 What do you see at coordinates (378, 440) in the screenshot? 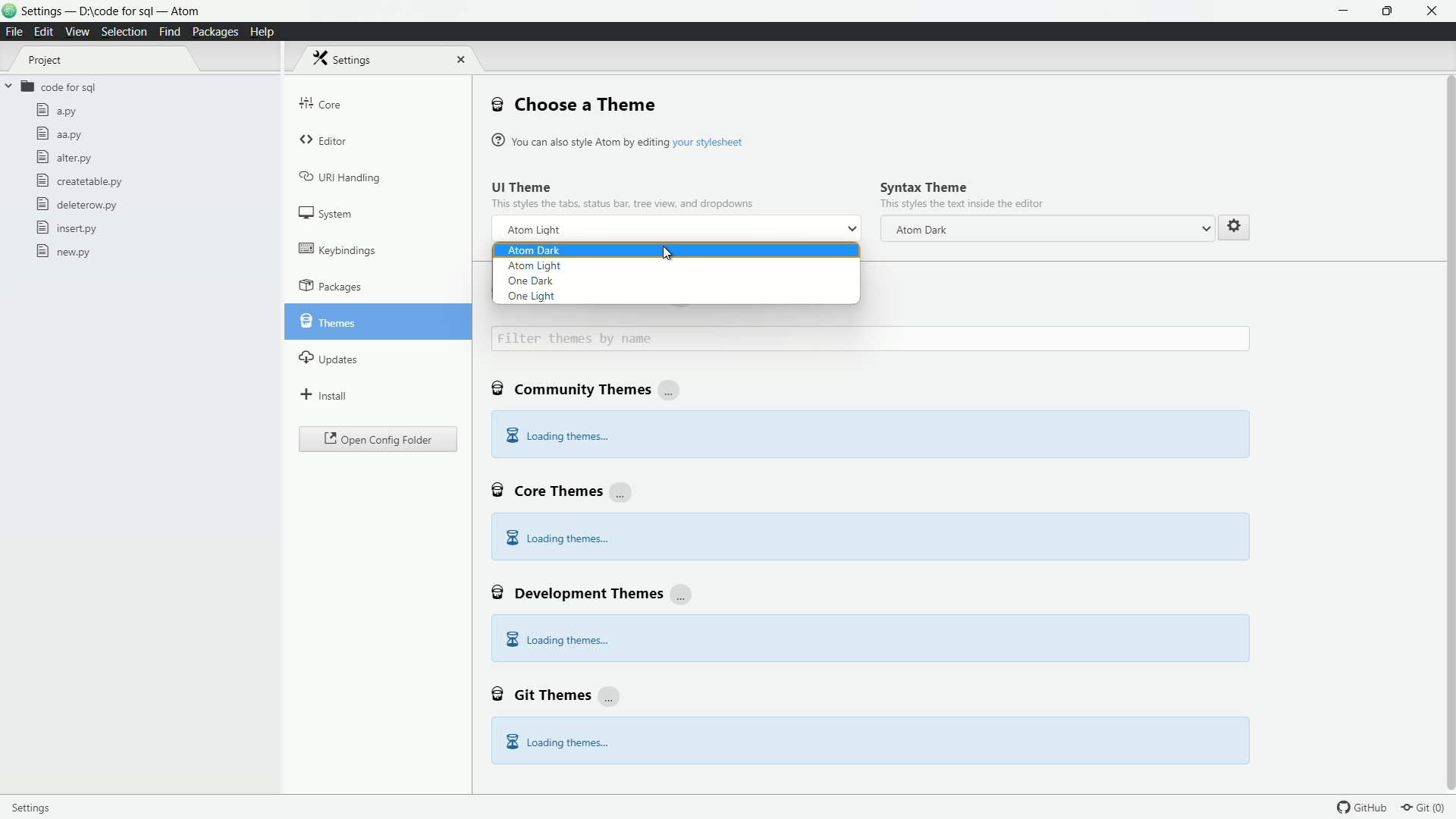
I see `open config folder` at bounding box center [378, 440].